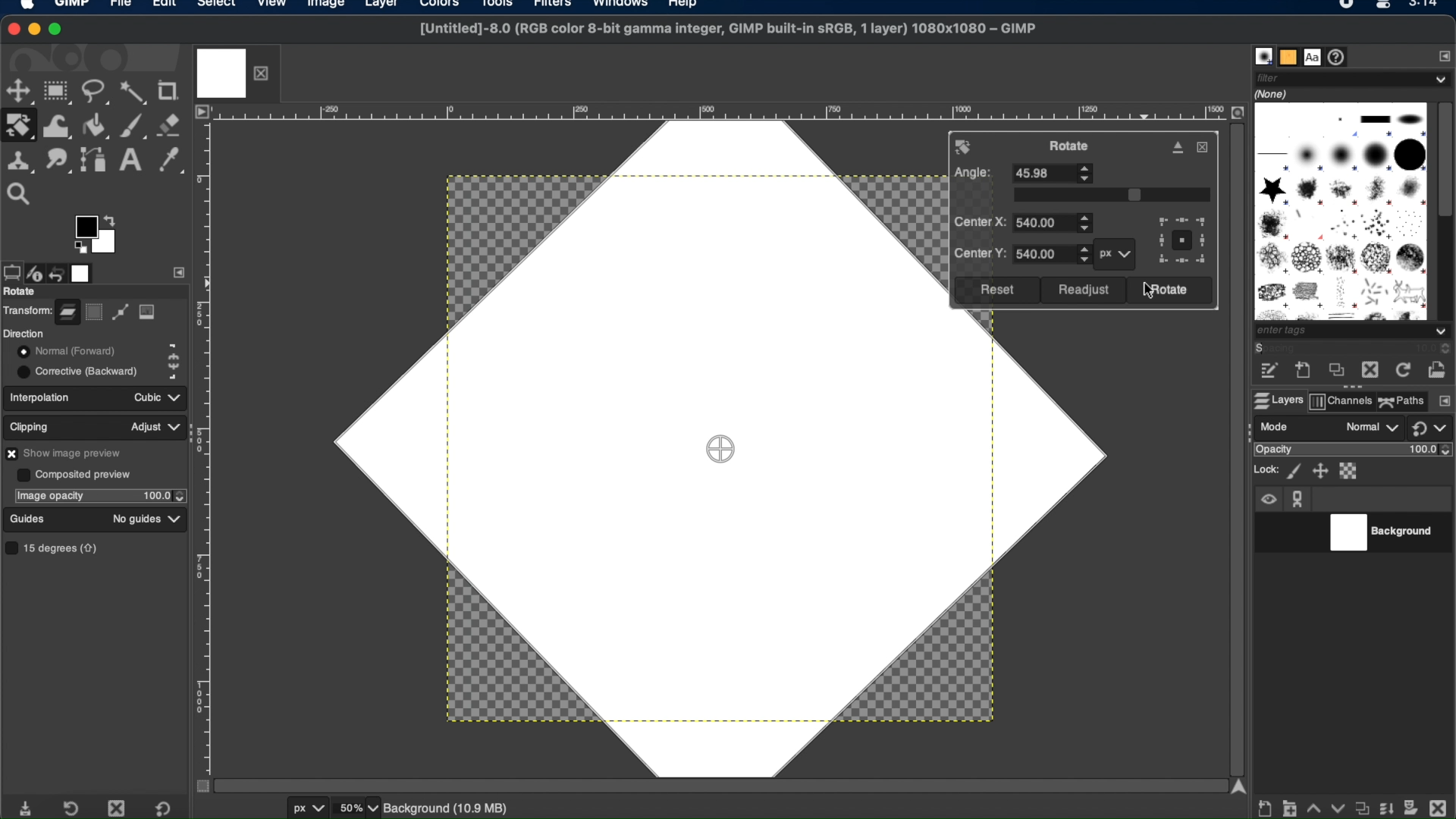  What do you see at coordinates (265, 72) in the screenshot?
I see `close layer tab` at bounding box center [265, 72].